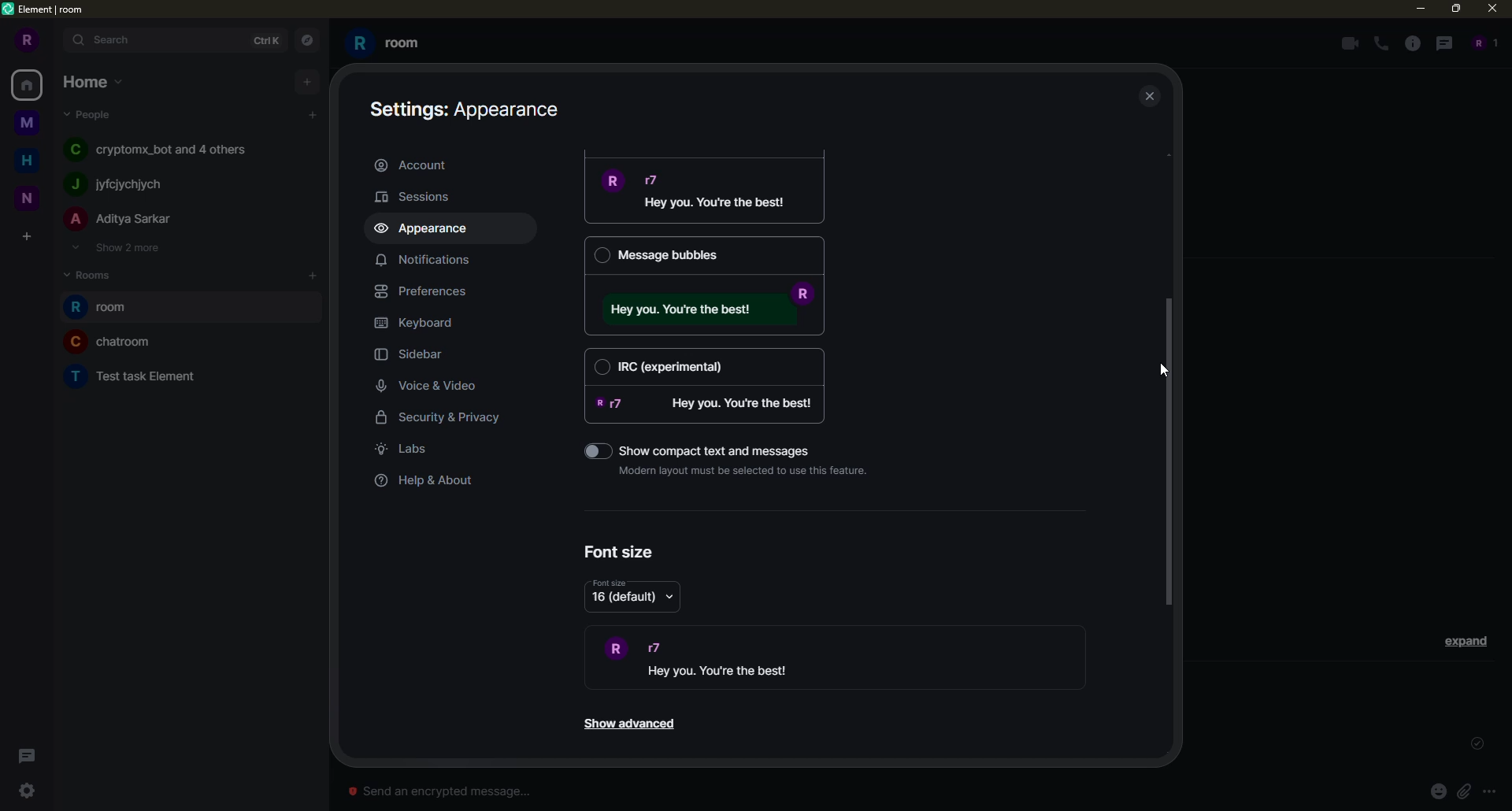  I want to click on close, so click(1151, 98).